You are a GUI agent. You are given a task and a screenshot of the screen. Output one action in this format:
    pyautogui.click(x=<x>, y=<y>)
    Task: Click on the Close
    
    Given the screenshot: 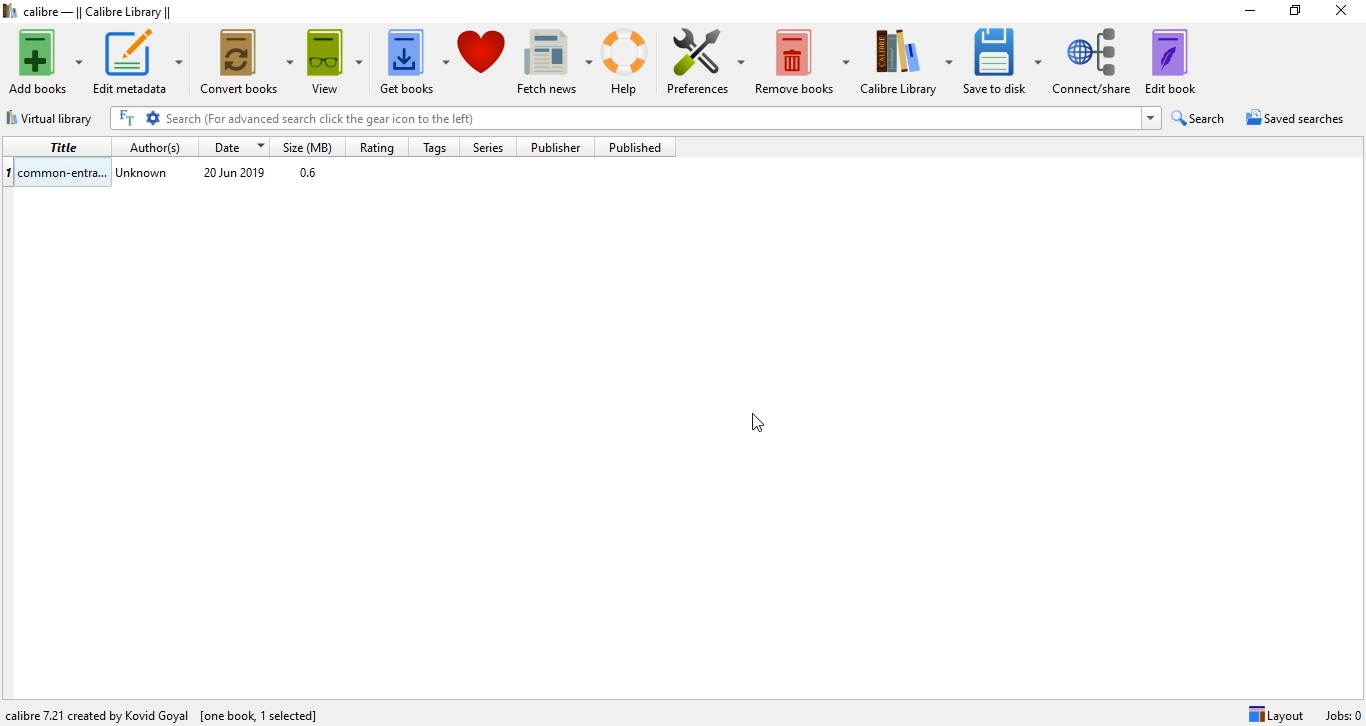 What is the action you would take?
    pyautogui.click(x=1345, y=13)
    